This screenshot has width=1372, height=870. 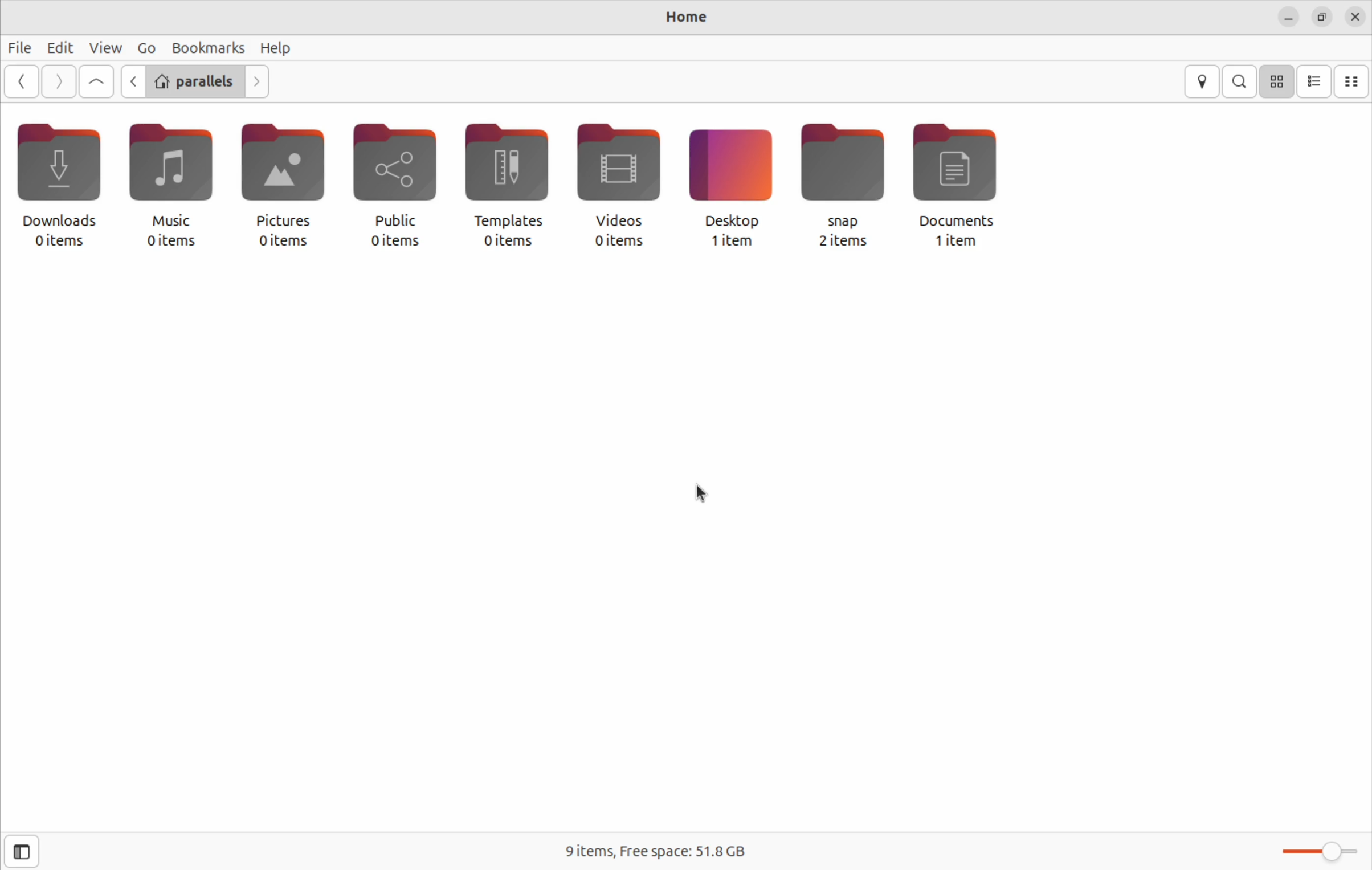 I want to click on cursor, so click(x=703, y=494).